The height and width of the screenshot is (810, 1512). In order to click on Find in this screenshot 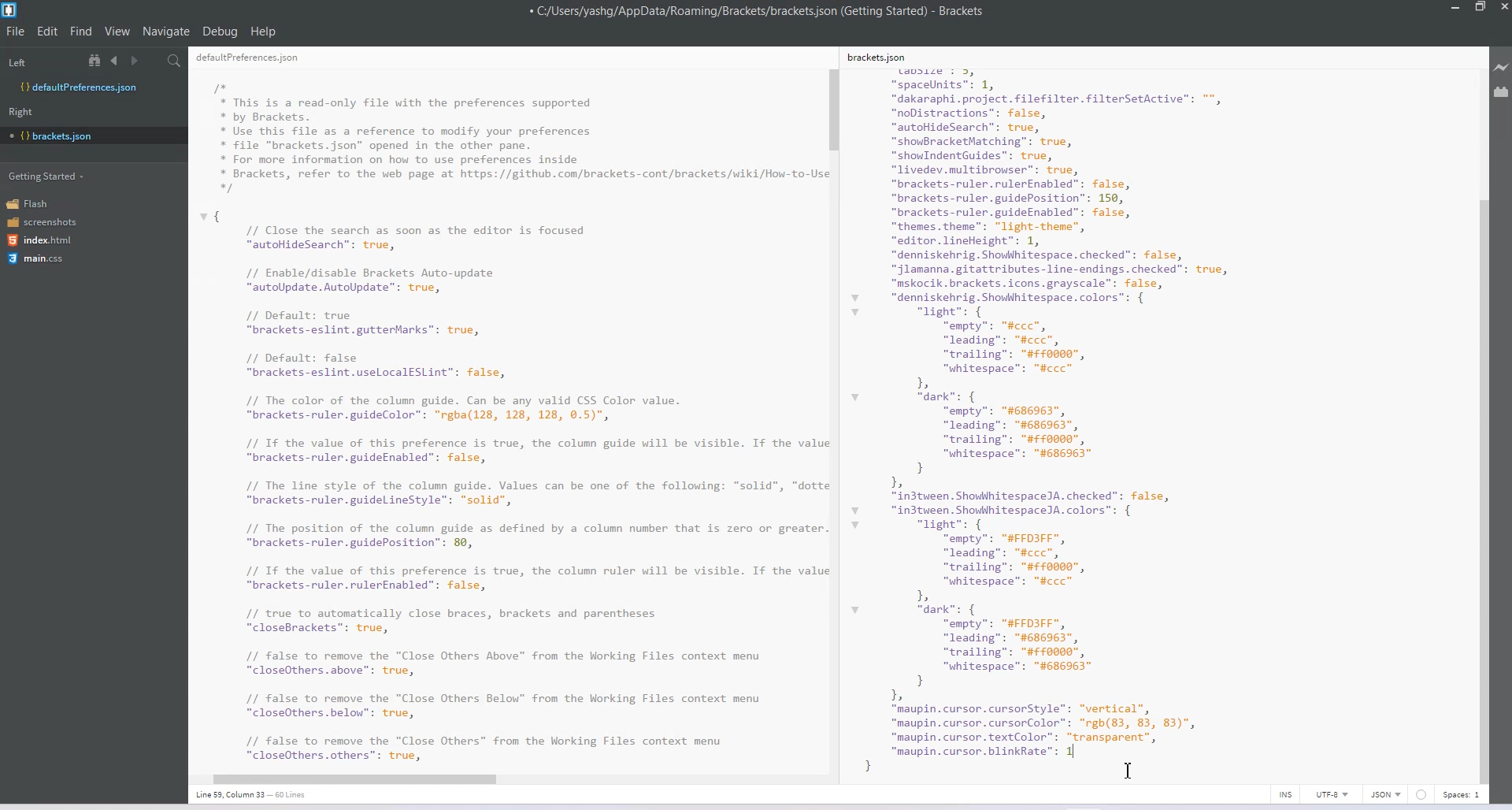, I will do `click(82, 31)`.